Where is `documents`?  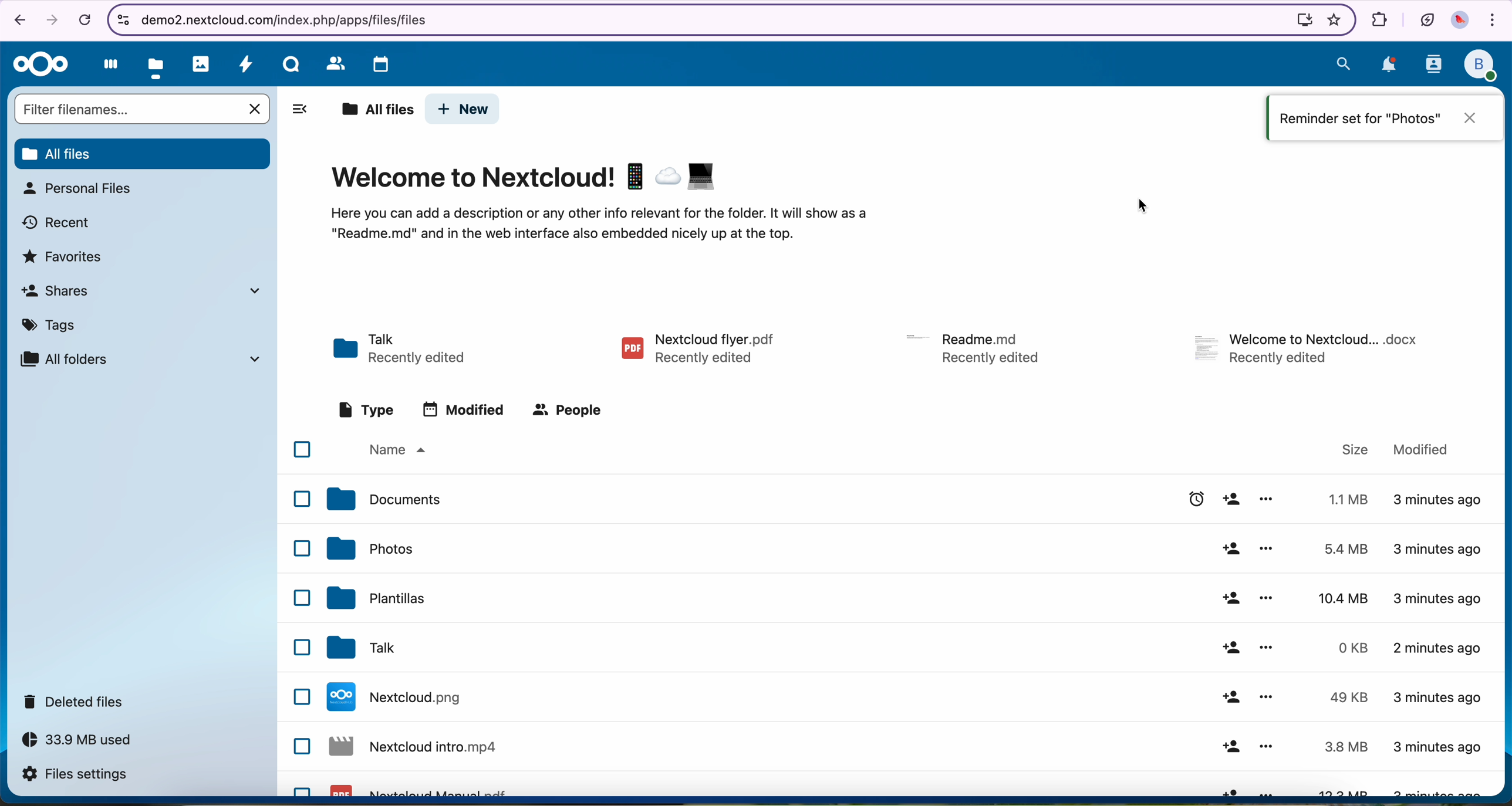
documents is located at coordinates (386, 500).